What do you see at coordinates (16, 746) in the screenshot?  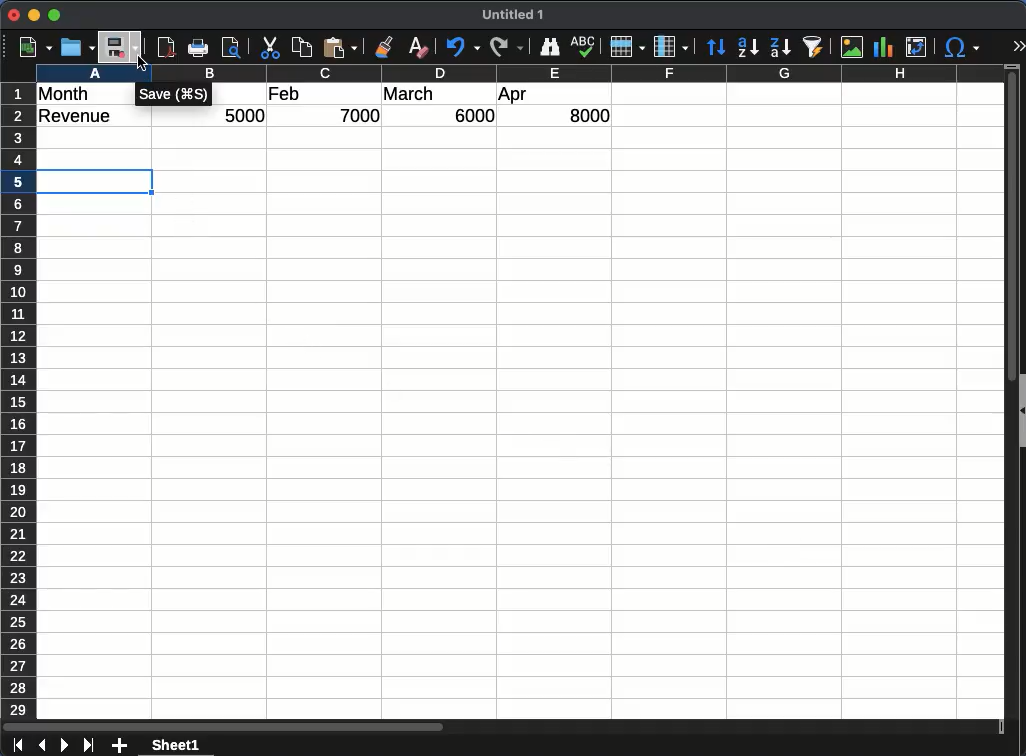 I see `first sheet` at bounding box center [16, 746].